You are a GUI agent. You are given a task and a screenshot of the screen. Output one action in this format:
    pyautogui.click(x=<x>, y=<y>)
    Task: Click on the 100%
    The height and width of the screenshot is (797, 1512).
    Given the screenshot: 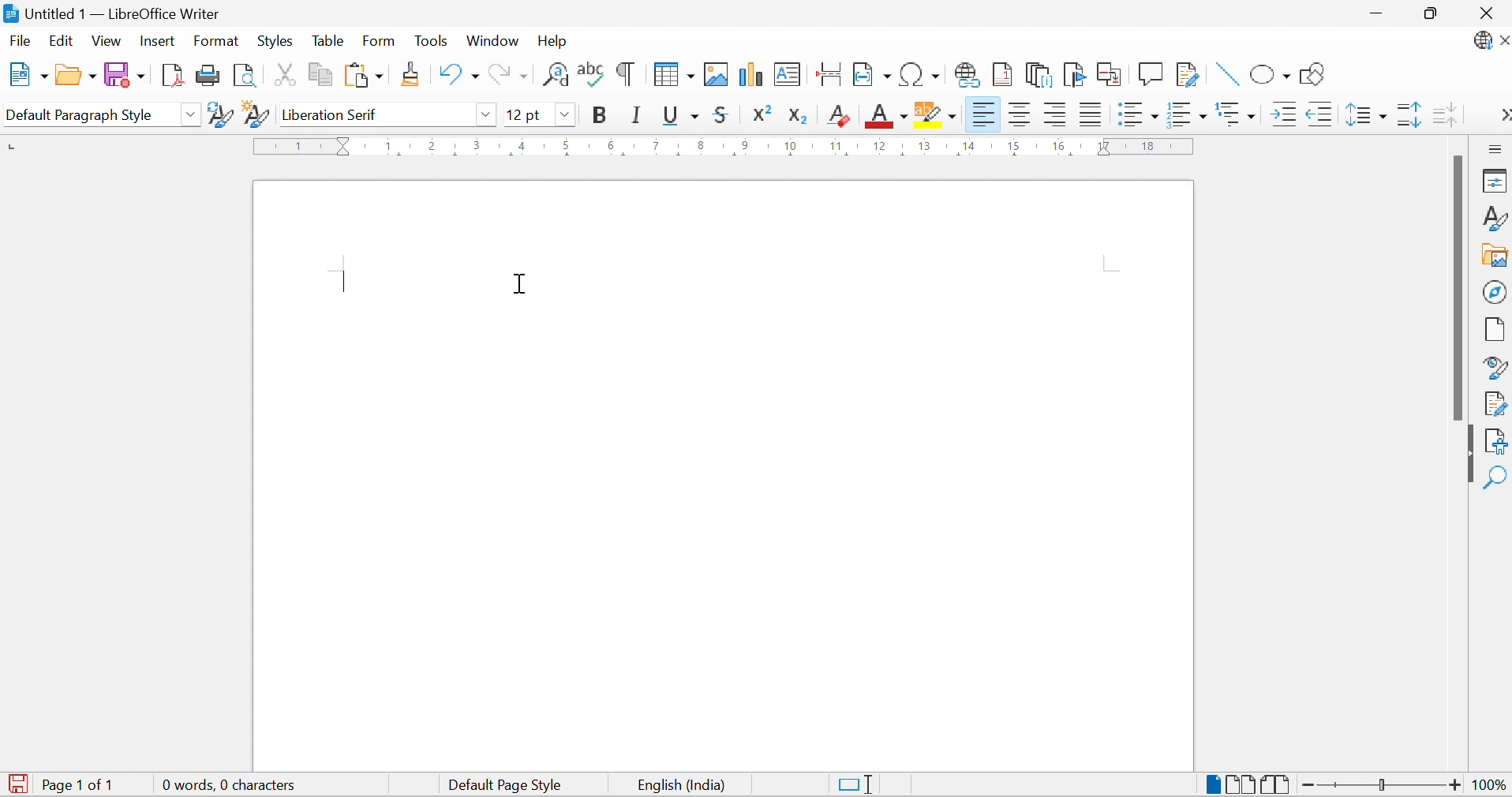 What is the action you would take?
    pyautogui.click(x=1484, y=786)
    